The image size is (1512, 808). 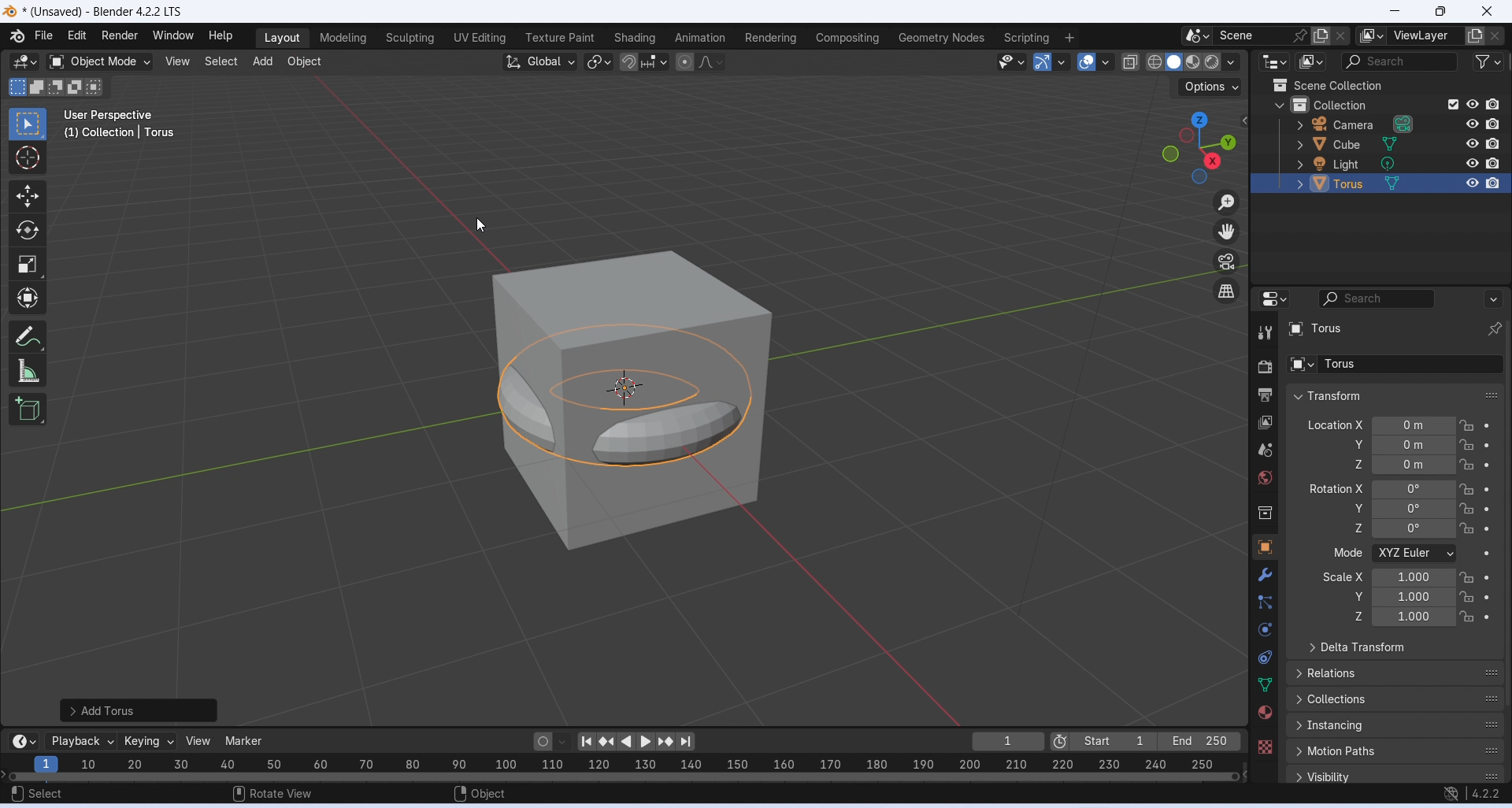 I want to click on Mode, so click(x=1435, y=554).